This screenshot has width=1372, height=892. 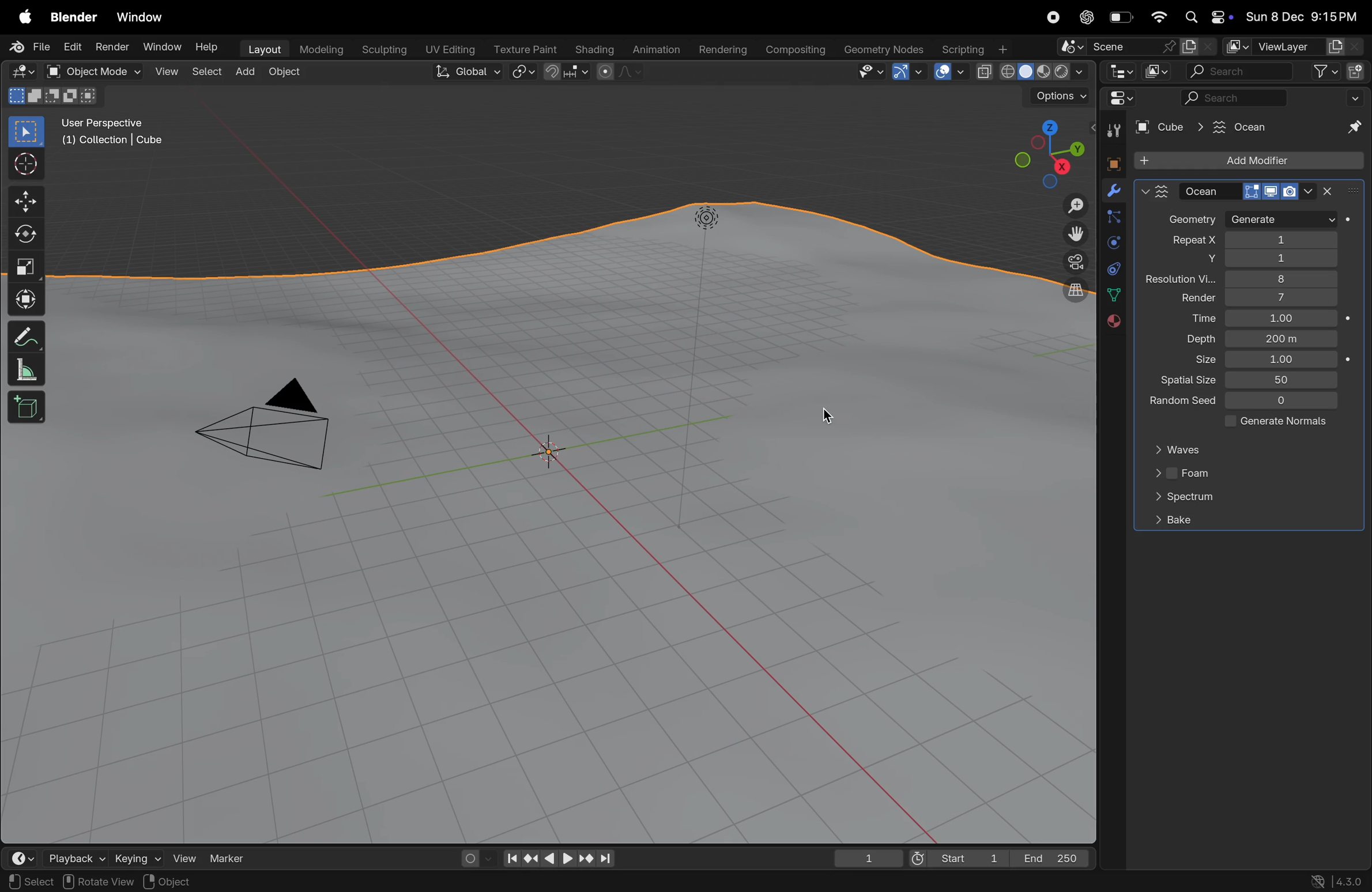 What do you see at coordinates (1155, 191) in the screenshot?
I see `ocean options` at bounding box center [1155, 191].